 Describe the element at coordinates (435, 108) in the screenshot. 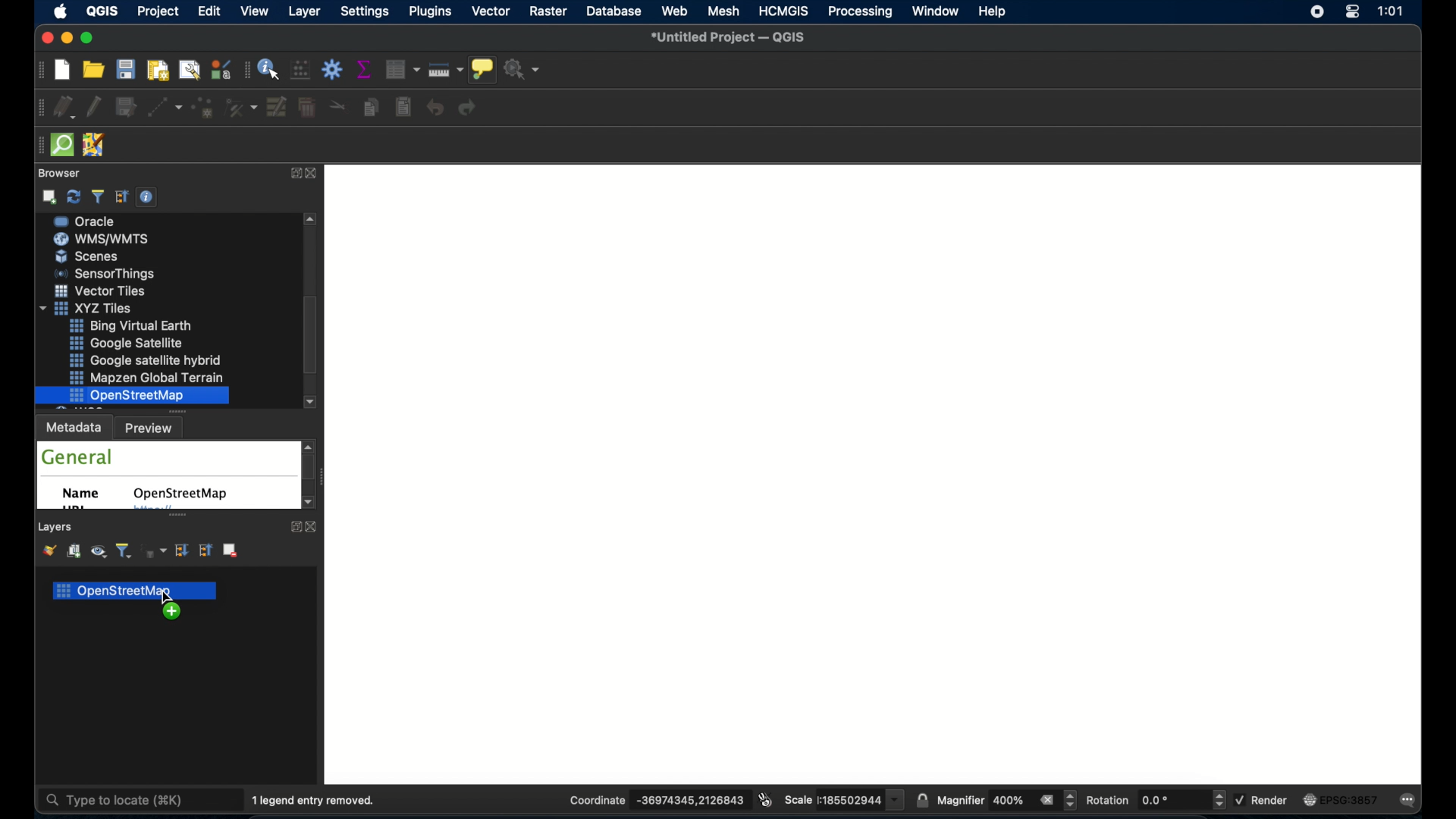

I see `undo` at that location.